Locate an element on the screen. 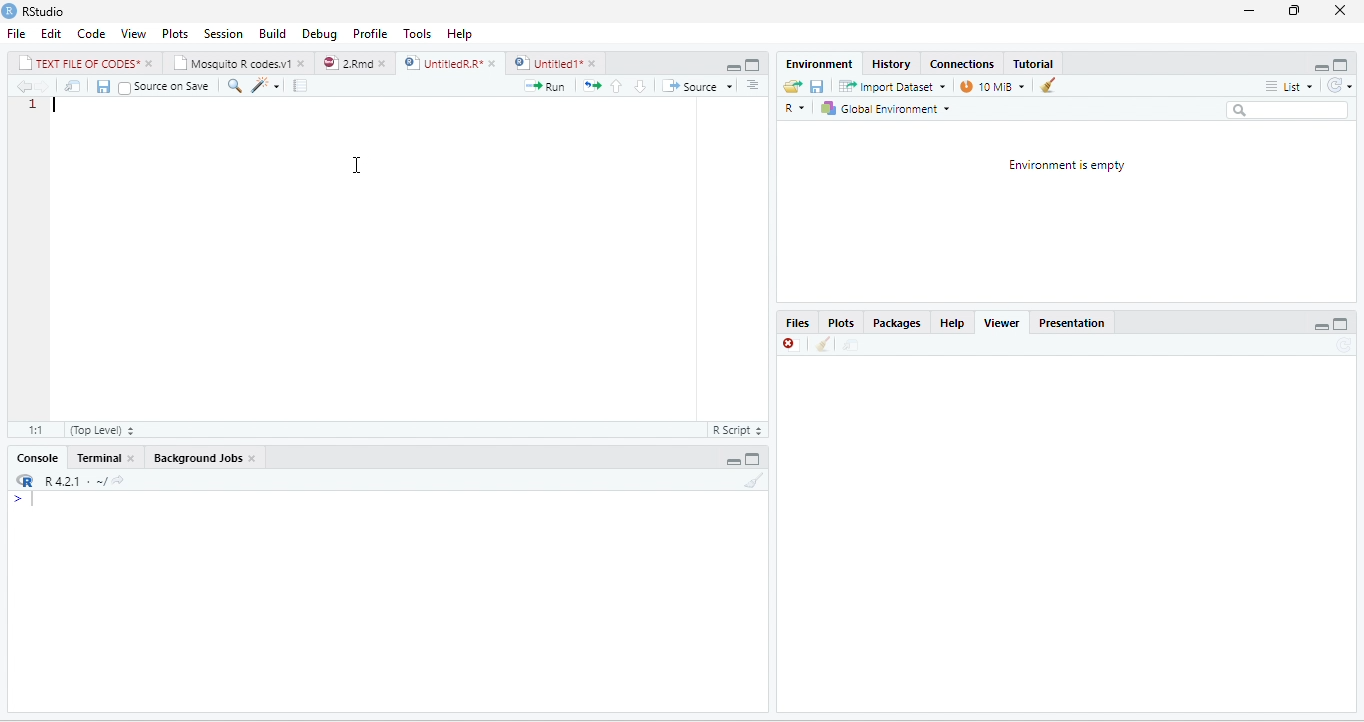 Image resolution: width=1364 pixels, height=722 pixels. 2Rmd is located at coordinates (346, 63).